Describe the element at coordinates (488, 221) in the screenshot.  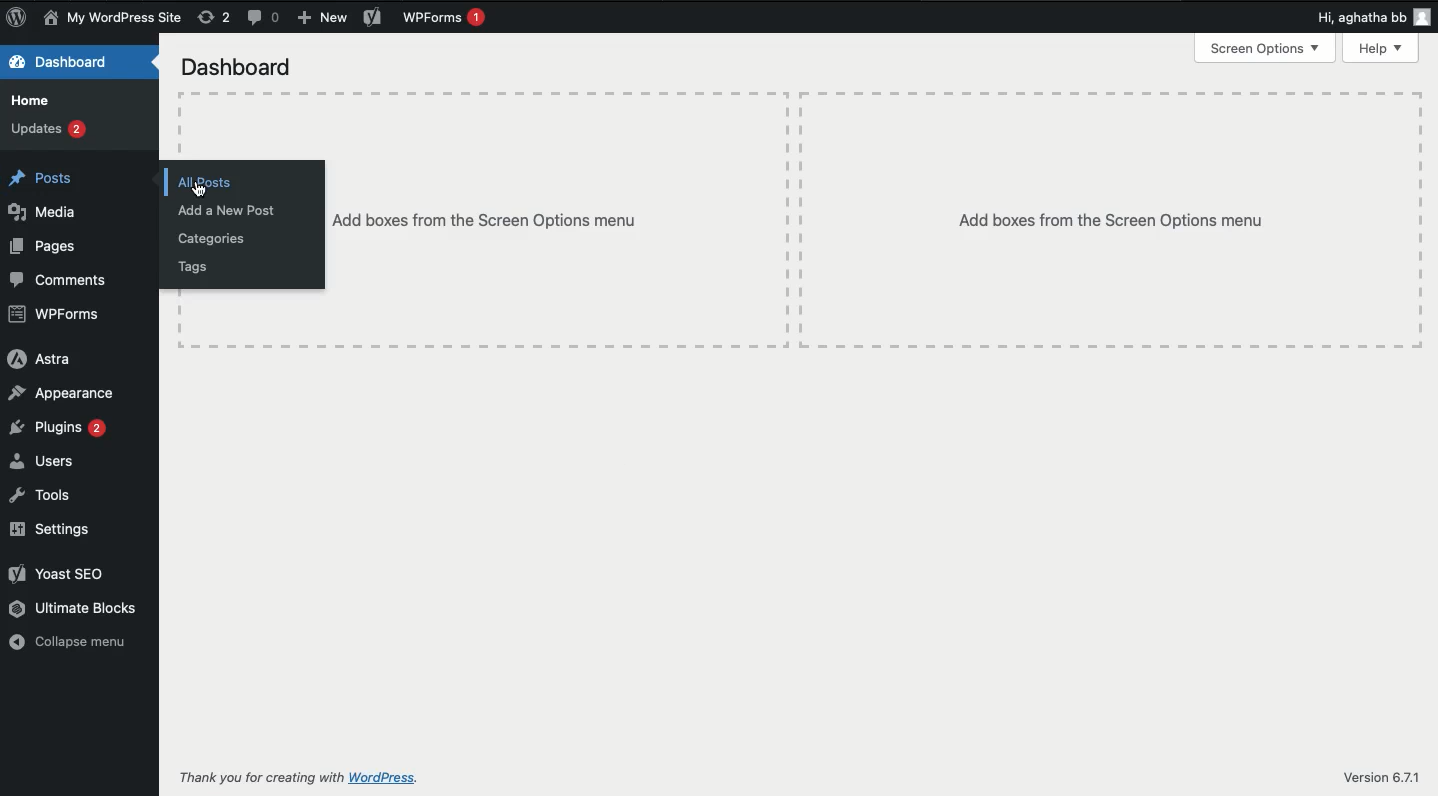
I see `Add boxes from the screen options menu` at that location.